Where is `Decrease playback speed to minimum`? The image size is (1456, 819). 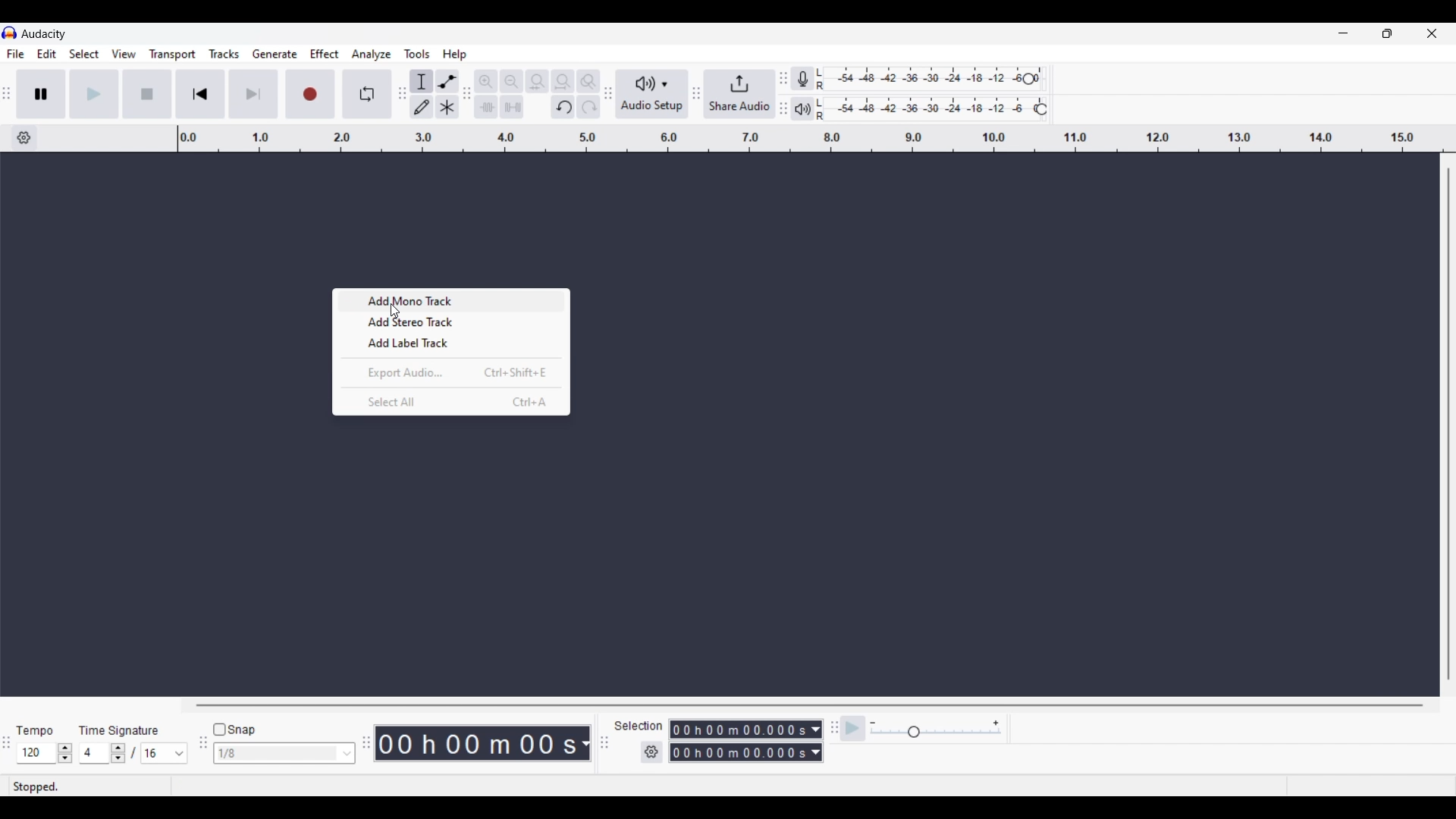 Decrease playback speed to minimum is located at coordinates (873, 723).